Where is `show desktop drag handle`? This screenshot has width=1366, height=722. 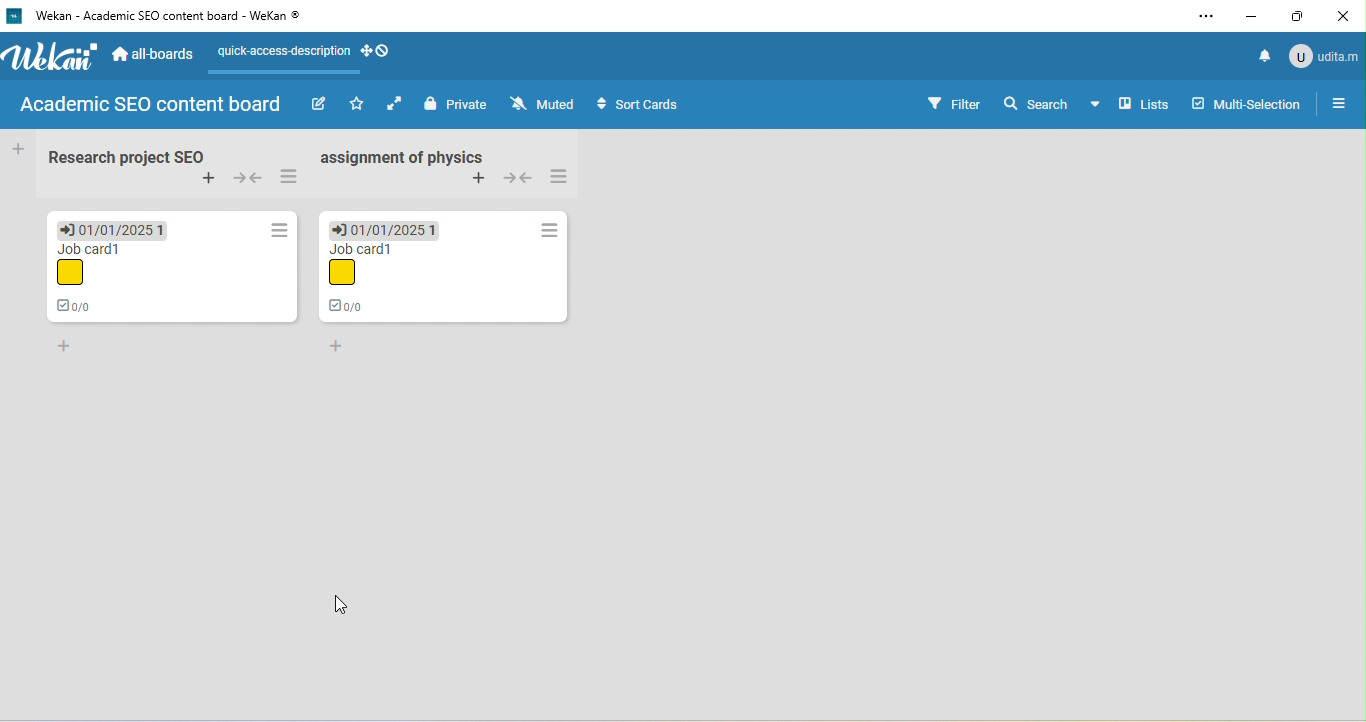
show desktop drag handle is located at coordinates (379, 52).